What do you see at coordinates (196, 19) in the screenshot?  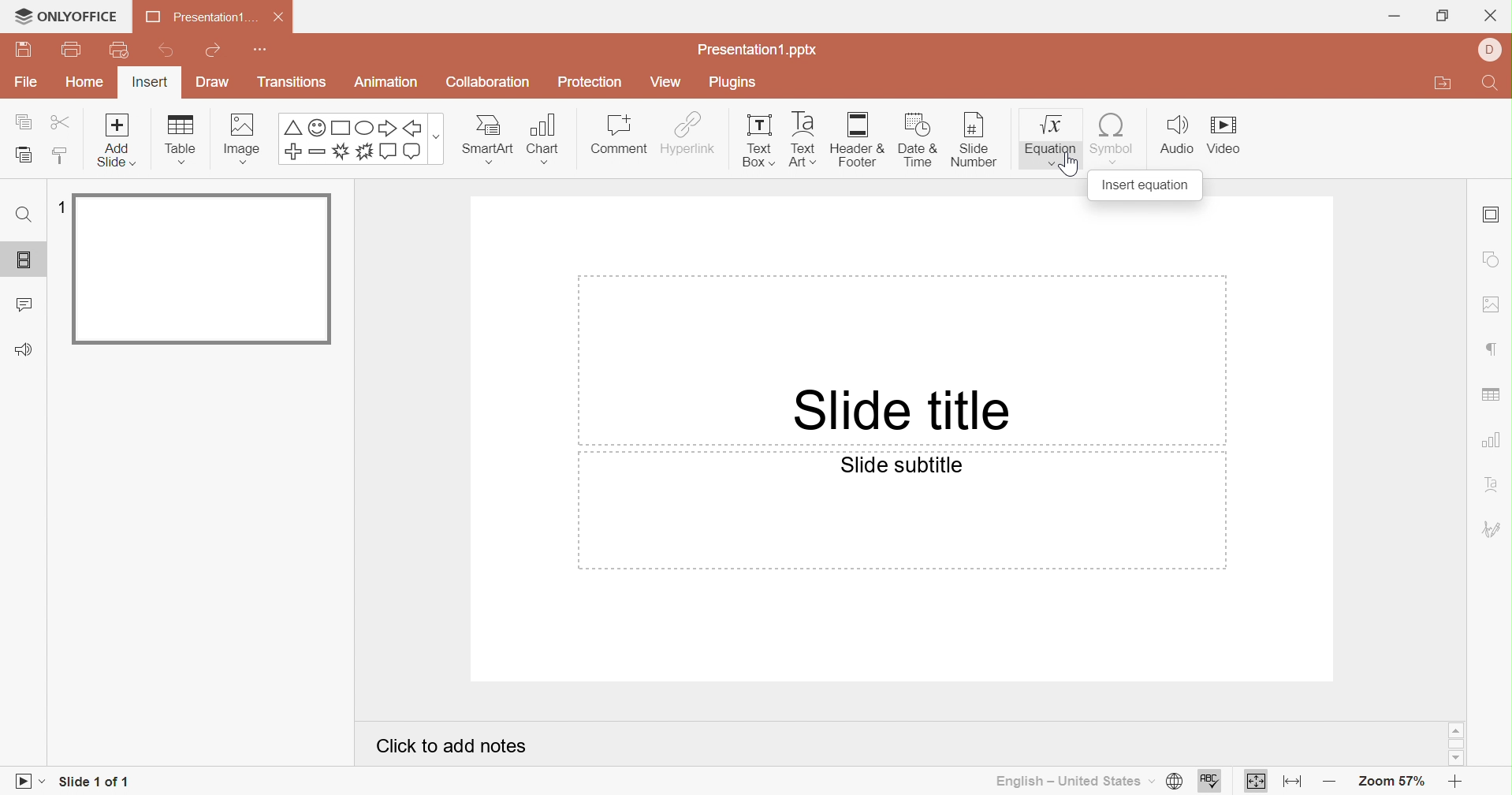 I see `Presentation1` at bounding box center [196, 19].